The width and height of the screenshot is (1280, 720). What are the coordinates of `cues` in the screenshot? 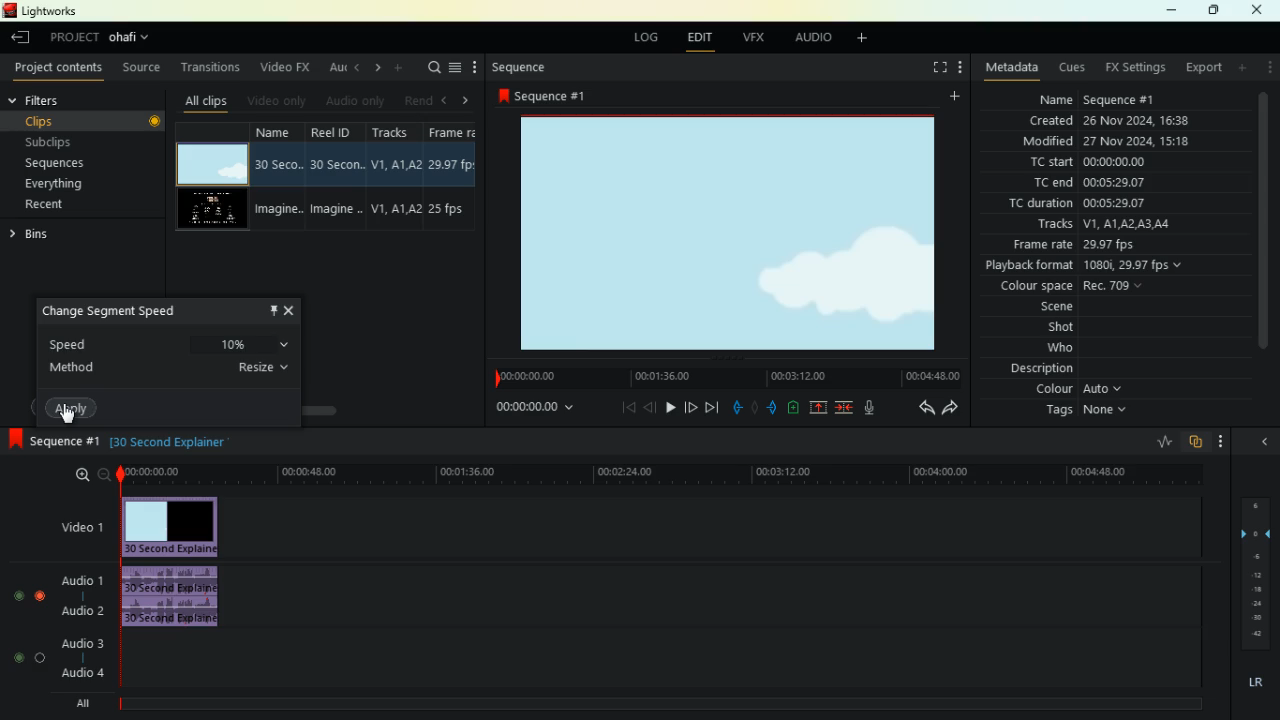 It's located at (1074, 68).